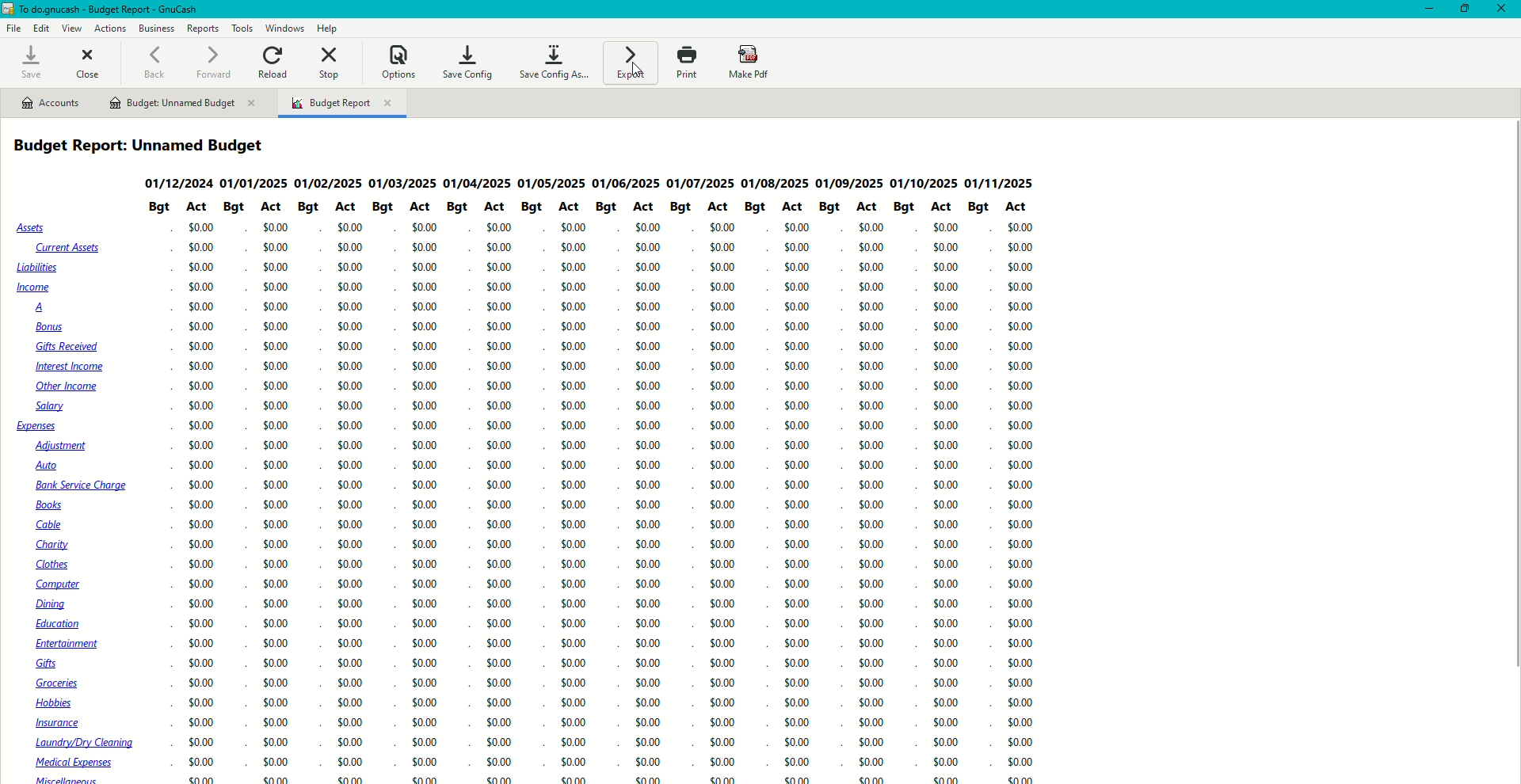  What do you see at coordinates (593, 208) in the screenshot?
I see `Parameters` at bounding box center [593, 208].